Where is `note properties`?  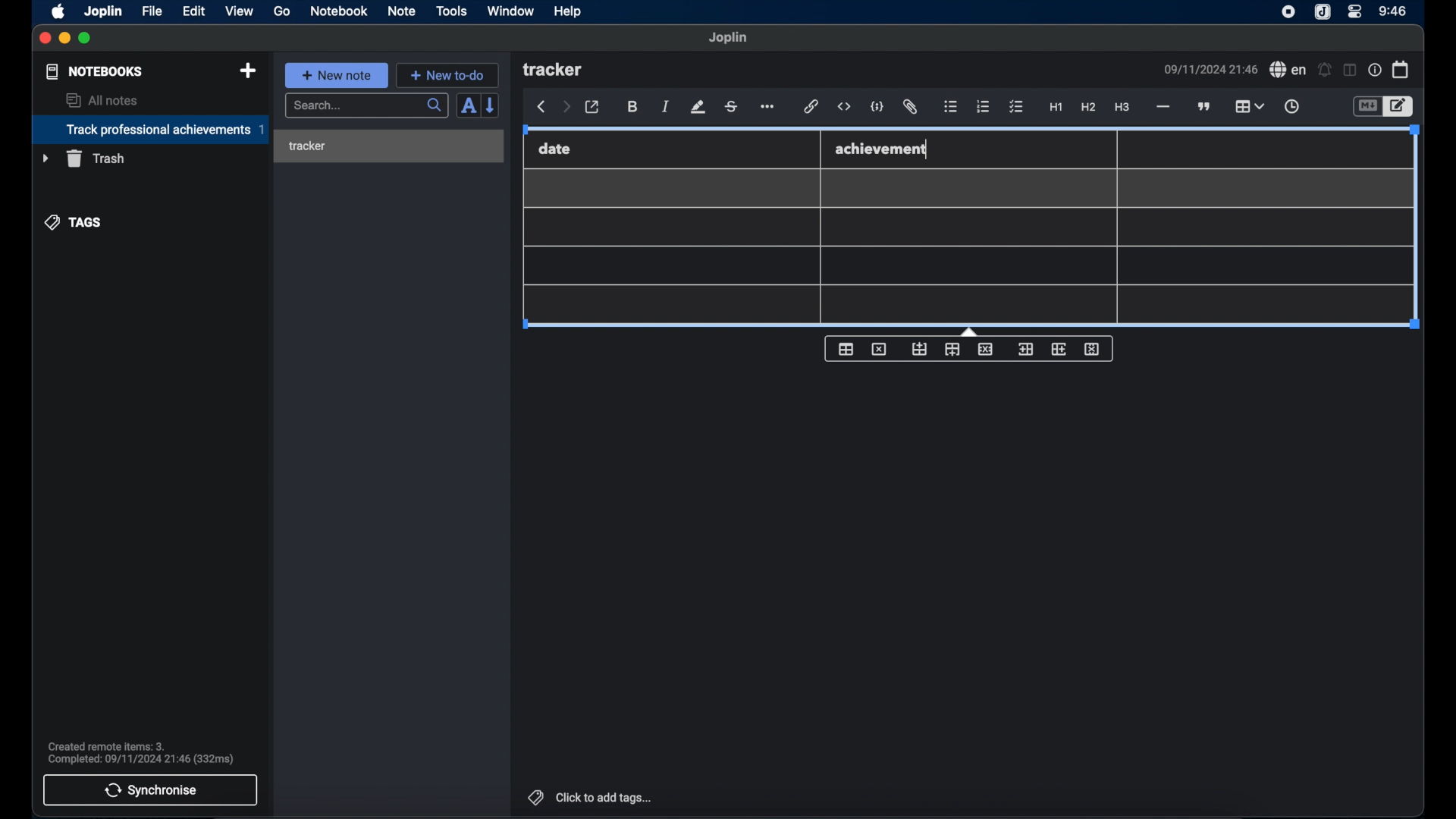 note properties is located at coordinates (1374, 70).